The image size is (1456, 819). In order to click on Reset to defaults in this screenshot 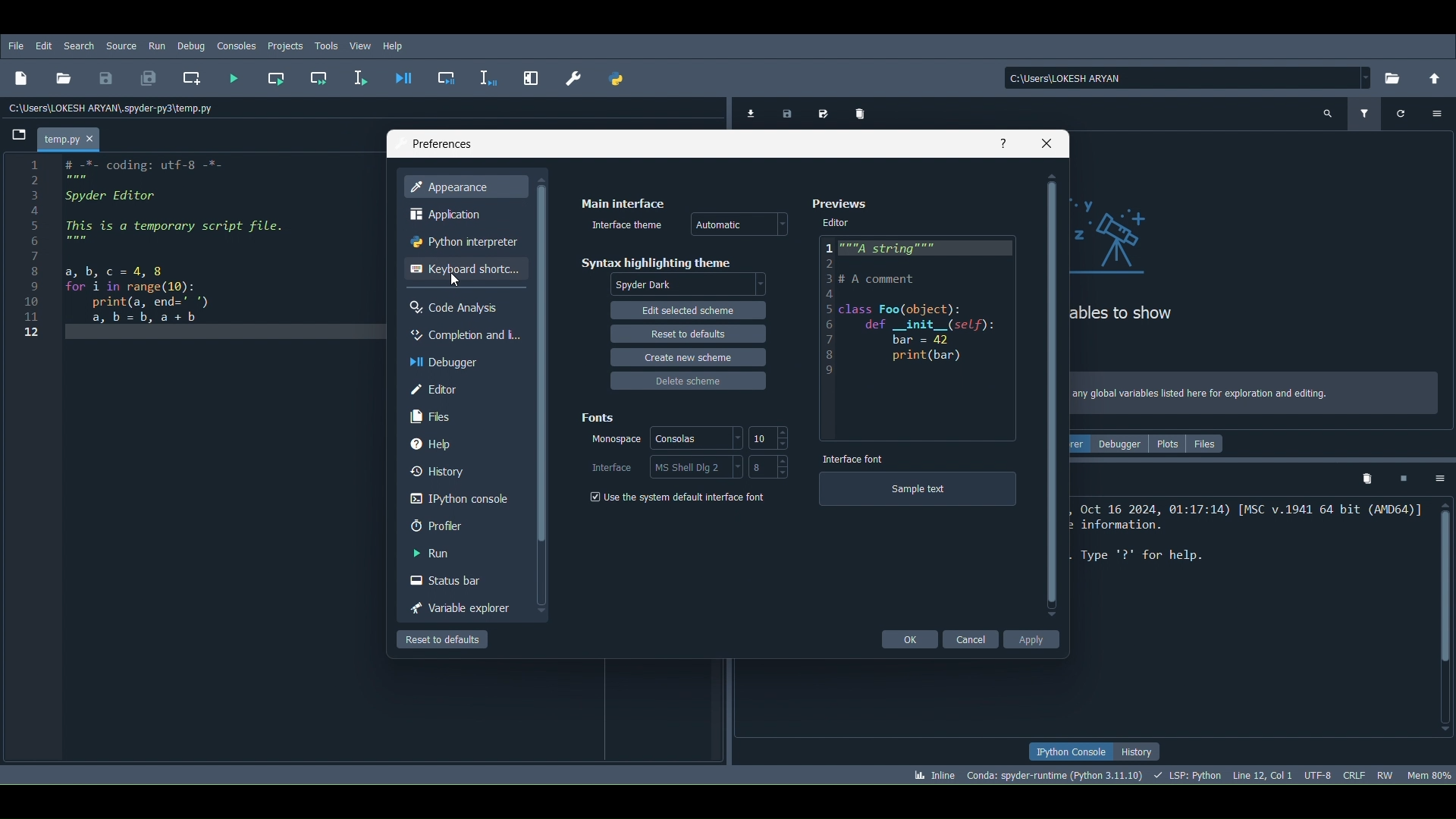, I will do `click(443, 639)`.